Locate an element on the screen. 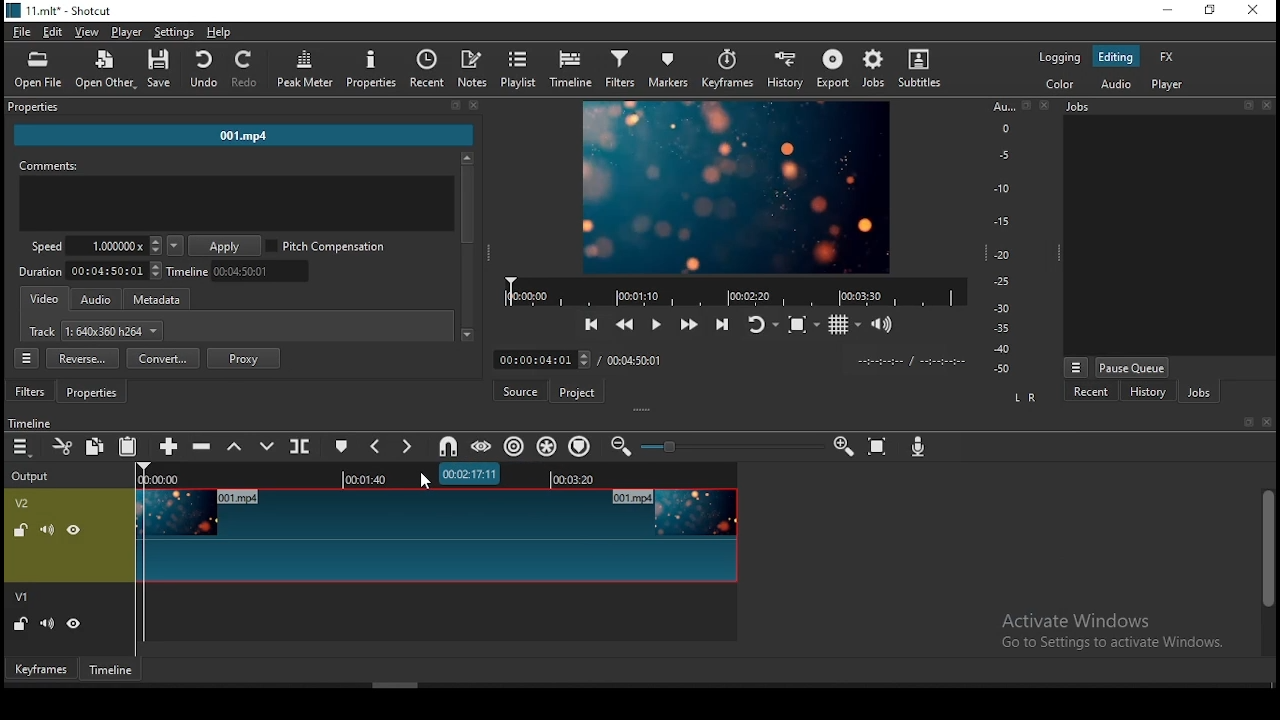 This screenshot has height=720, width=1280. playback speed presets is located at coordinates (174, 246).